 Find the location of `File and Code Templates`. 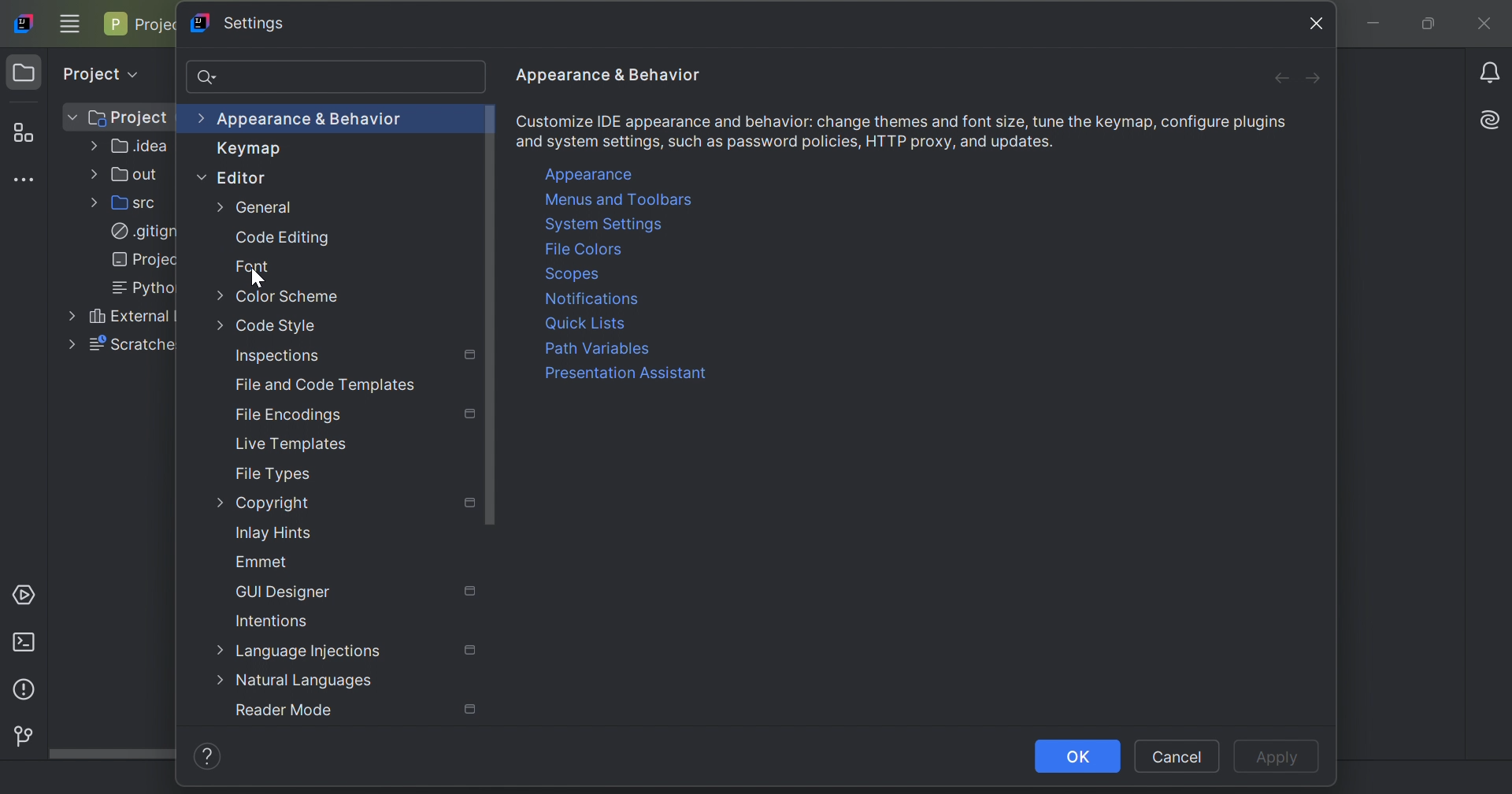

File and Code Templates is located at coordinates (329, 385).